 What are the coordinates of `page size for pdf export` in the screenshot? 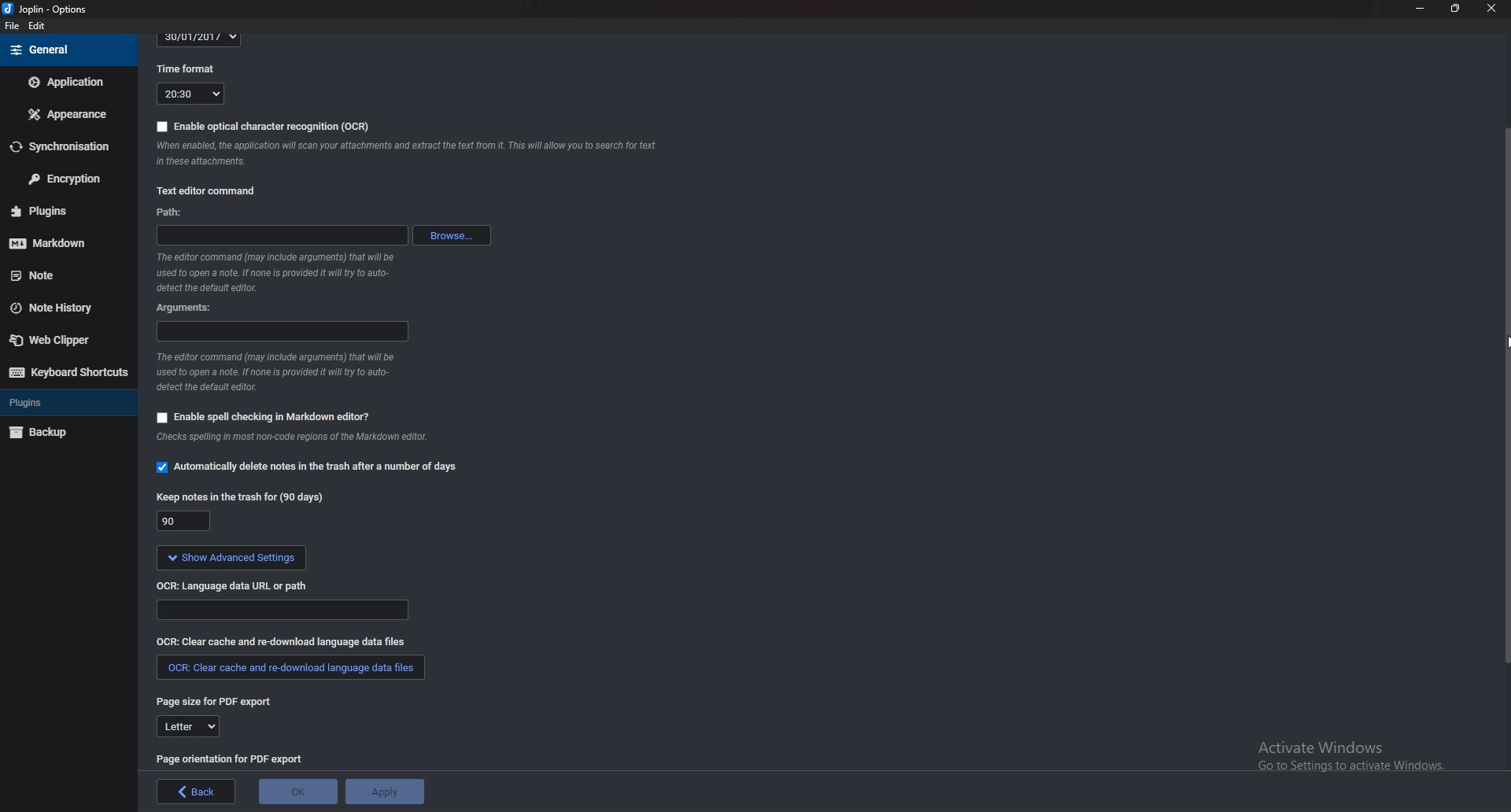 It's located at (219, 703).